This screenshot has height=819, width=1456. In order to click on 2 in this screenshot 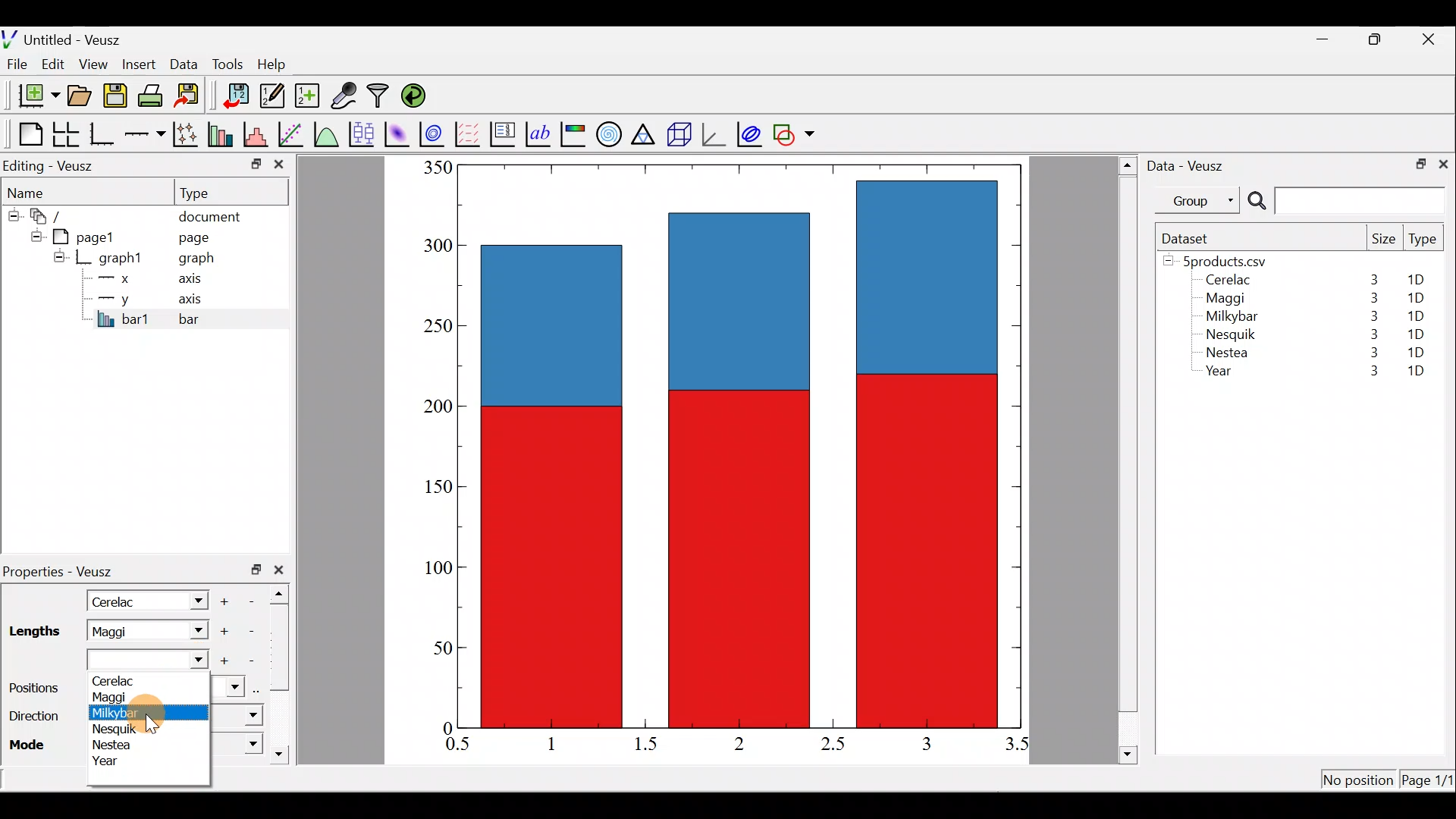, I will do `click(736, 742)`.